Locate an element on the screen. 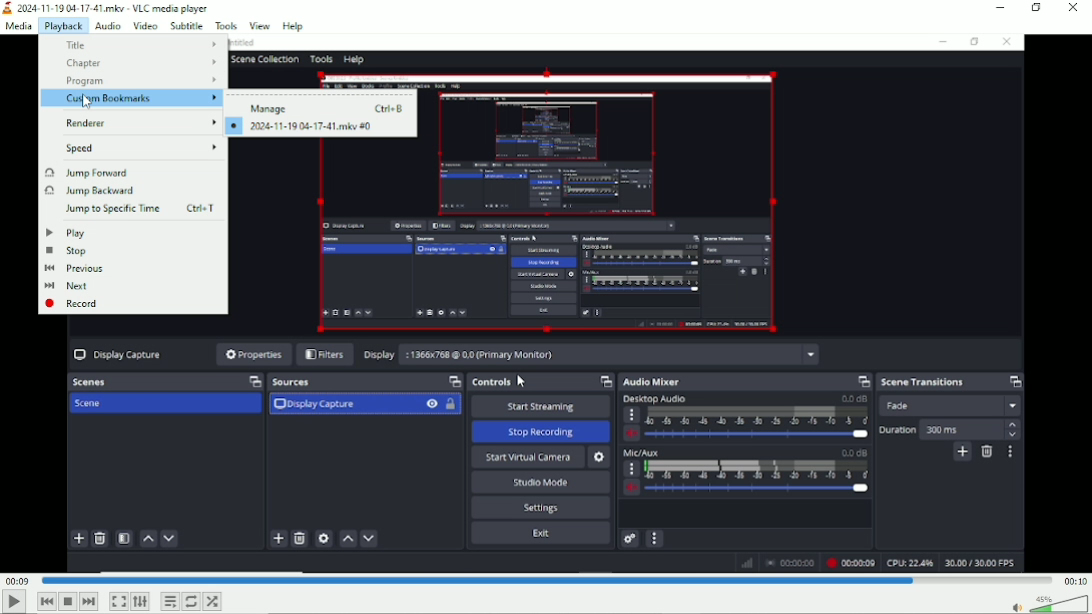 This screenshot has height=614, width=1092. restore down is located at coordinates (1036, 8).